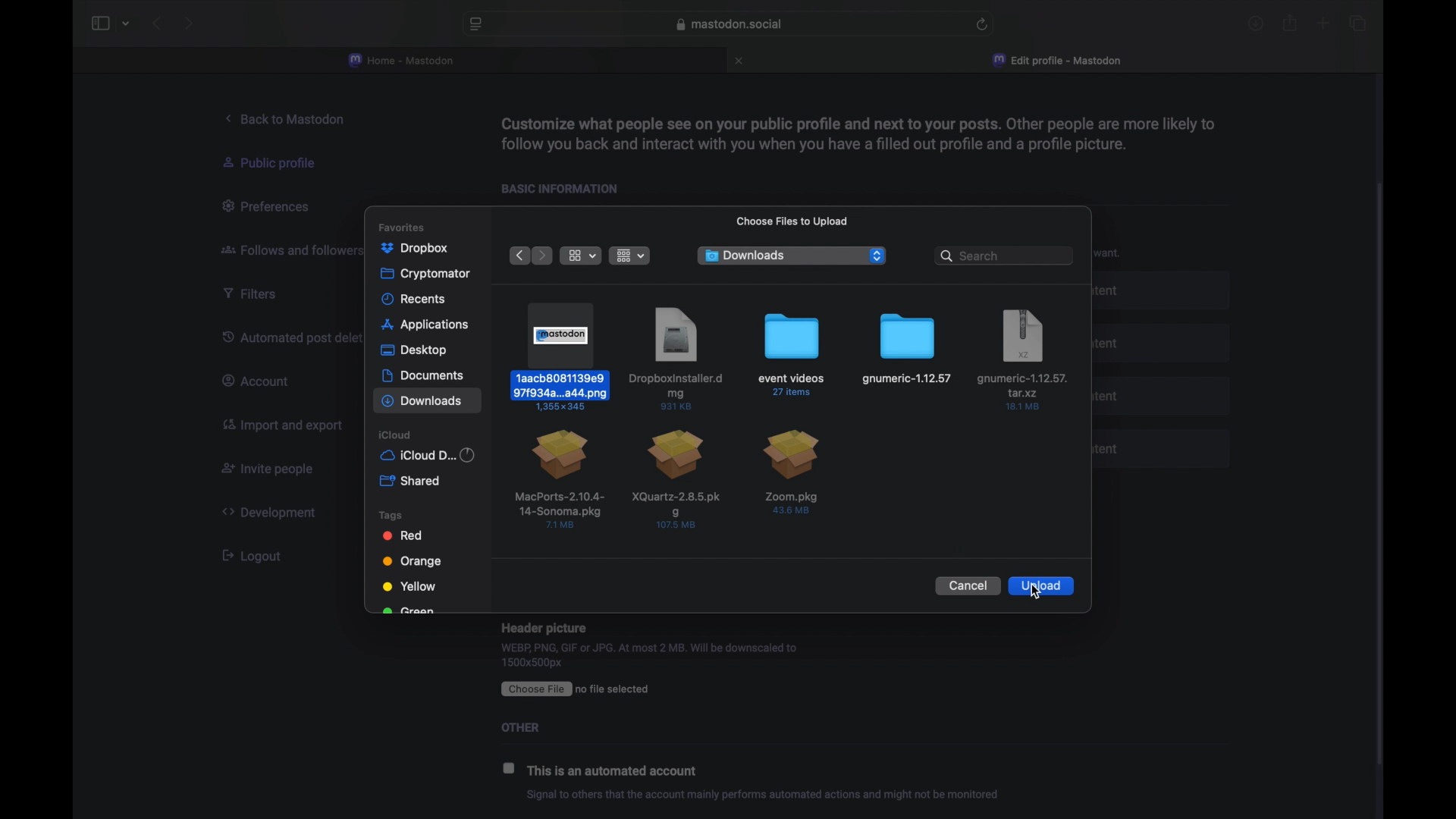  I want to click on cryptomator, so click(426, 274).